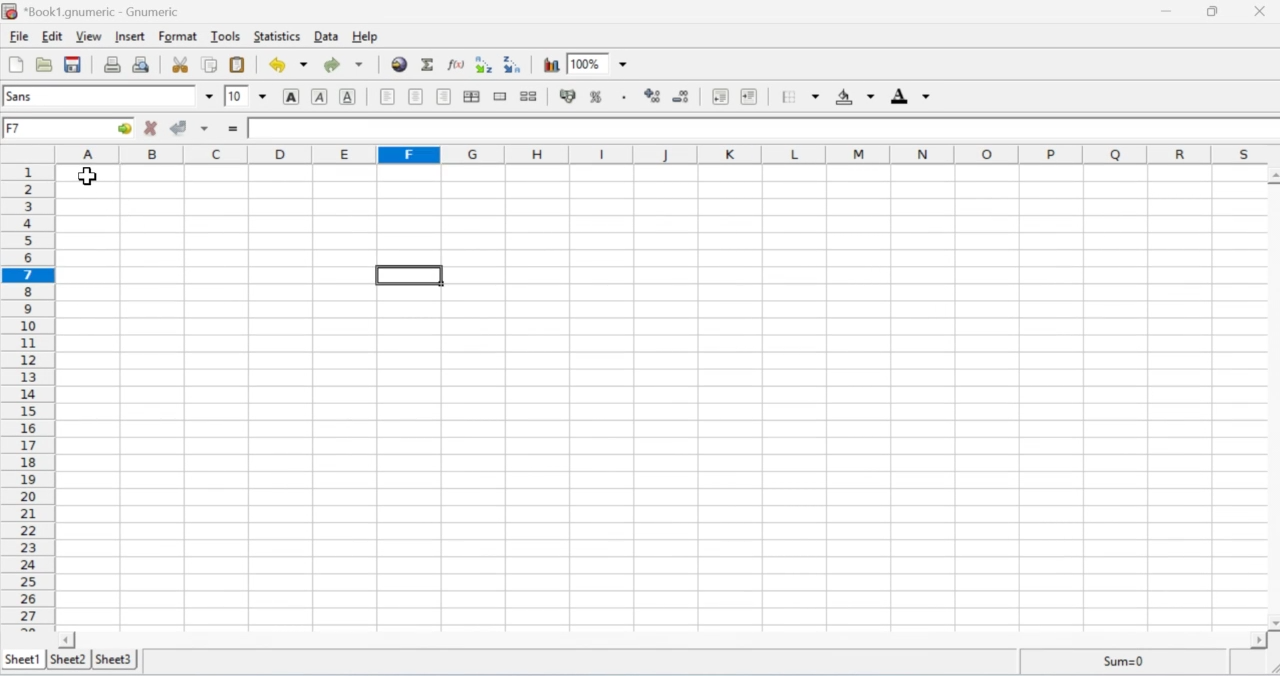 Image resolution: width=1280 pixels, height=676 pixels. Describe the element at coordinates (90, 38) in the screenshot. I see `View` at that location.